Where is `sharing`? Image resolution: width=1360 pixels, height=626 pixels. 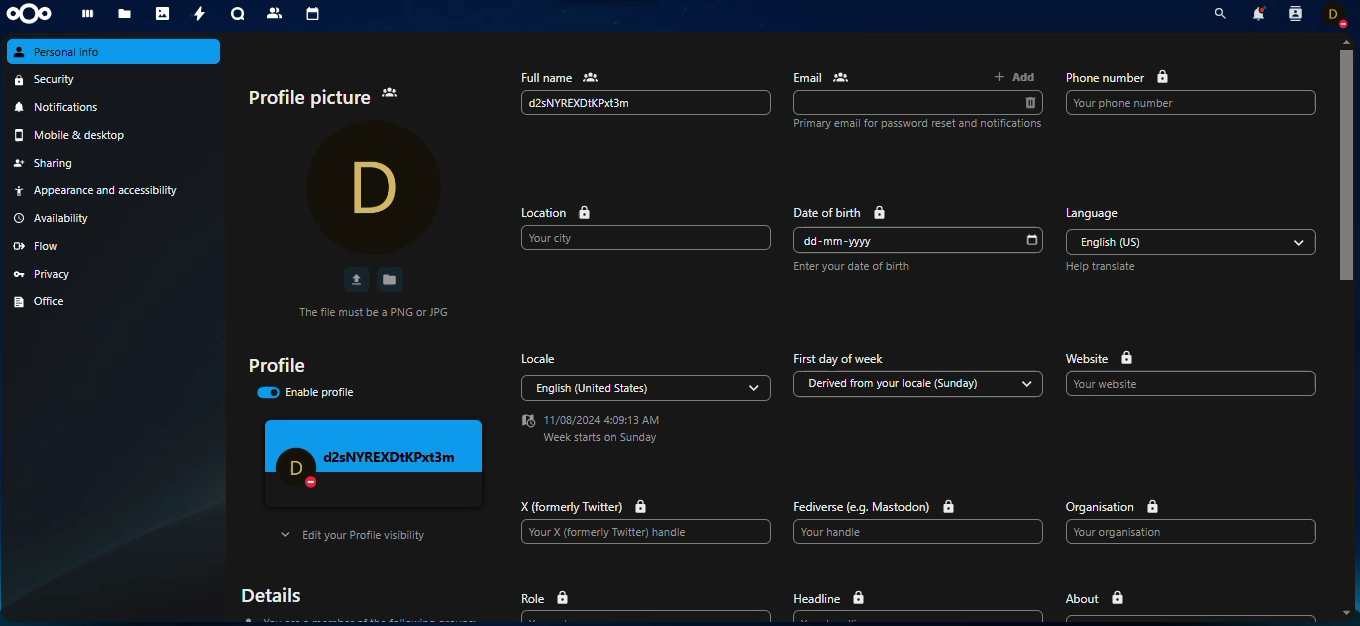
sharing is located at coordinates (114, 163).